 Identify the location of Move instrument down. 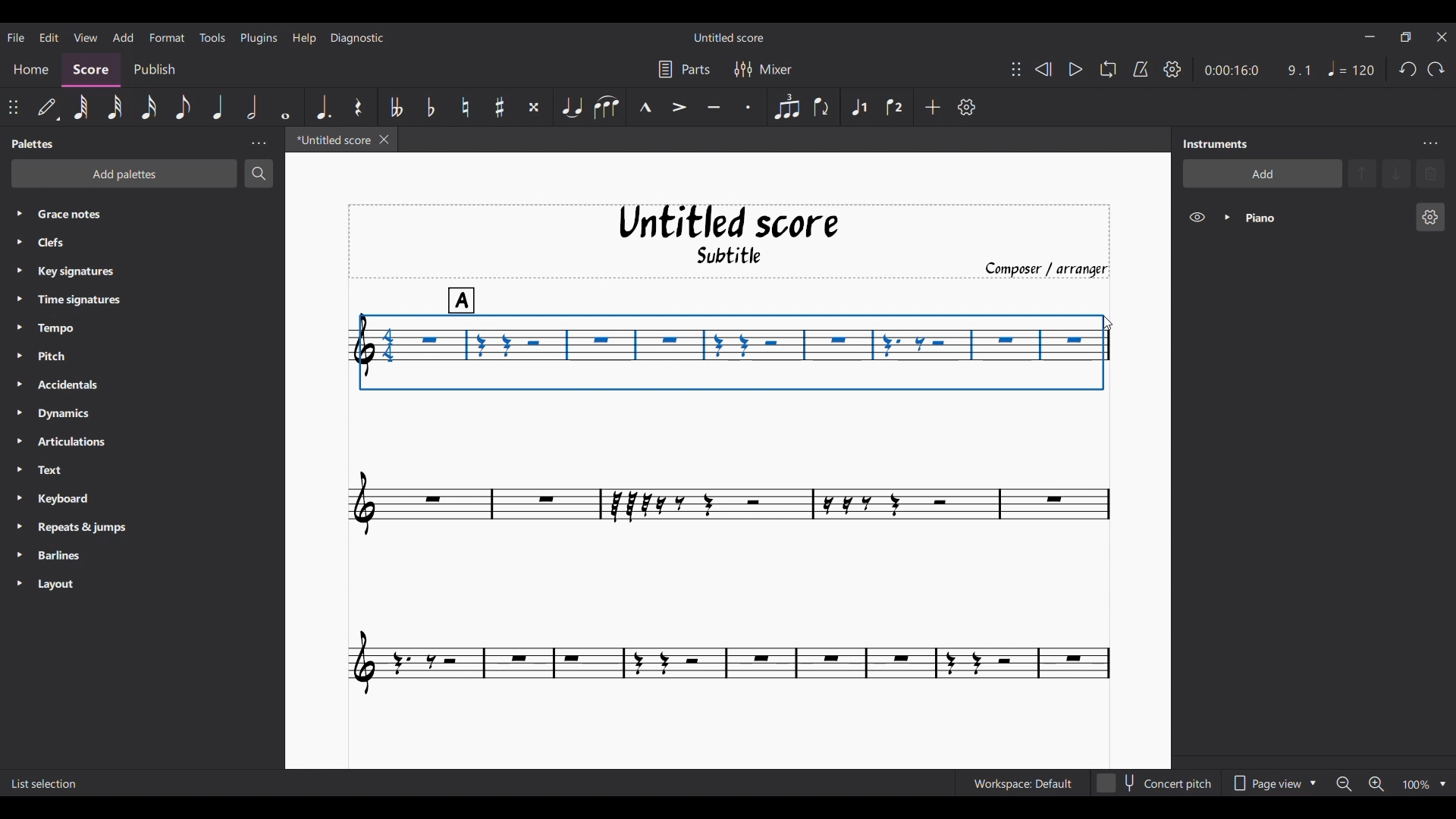
(1396, 173).